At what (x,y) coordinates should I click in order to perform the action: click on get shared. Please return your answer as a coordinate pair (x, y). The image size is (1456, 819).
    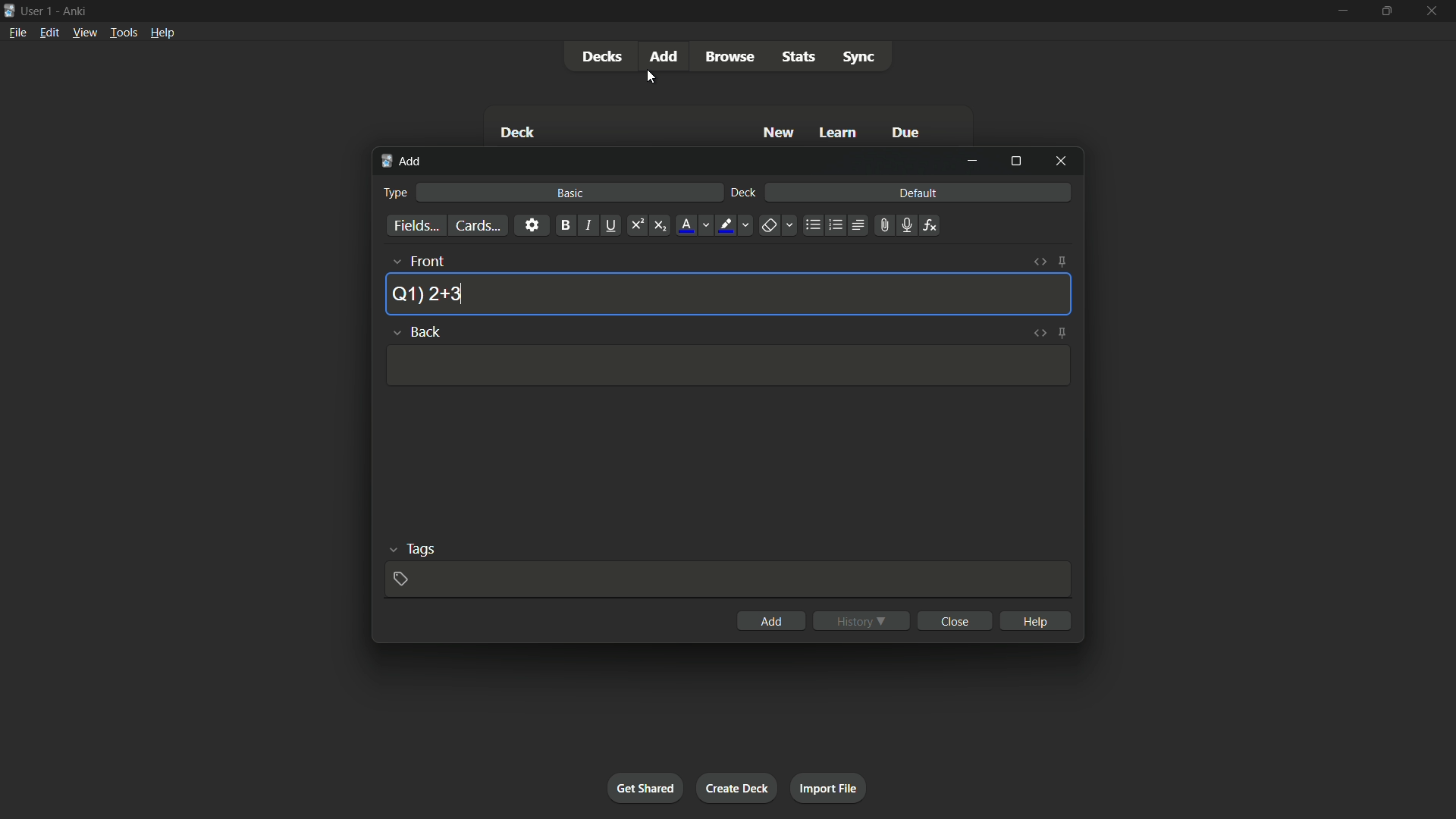
    Looking at the image, I should click on (645, 787).